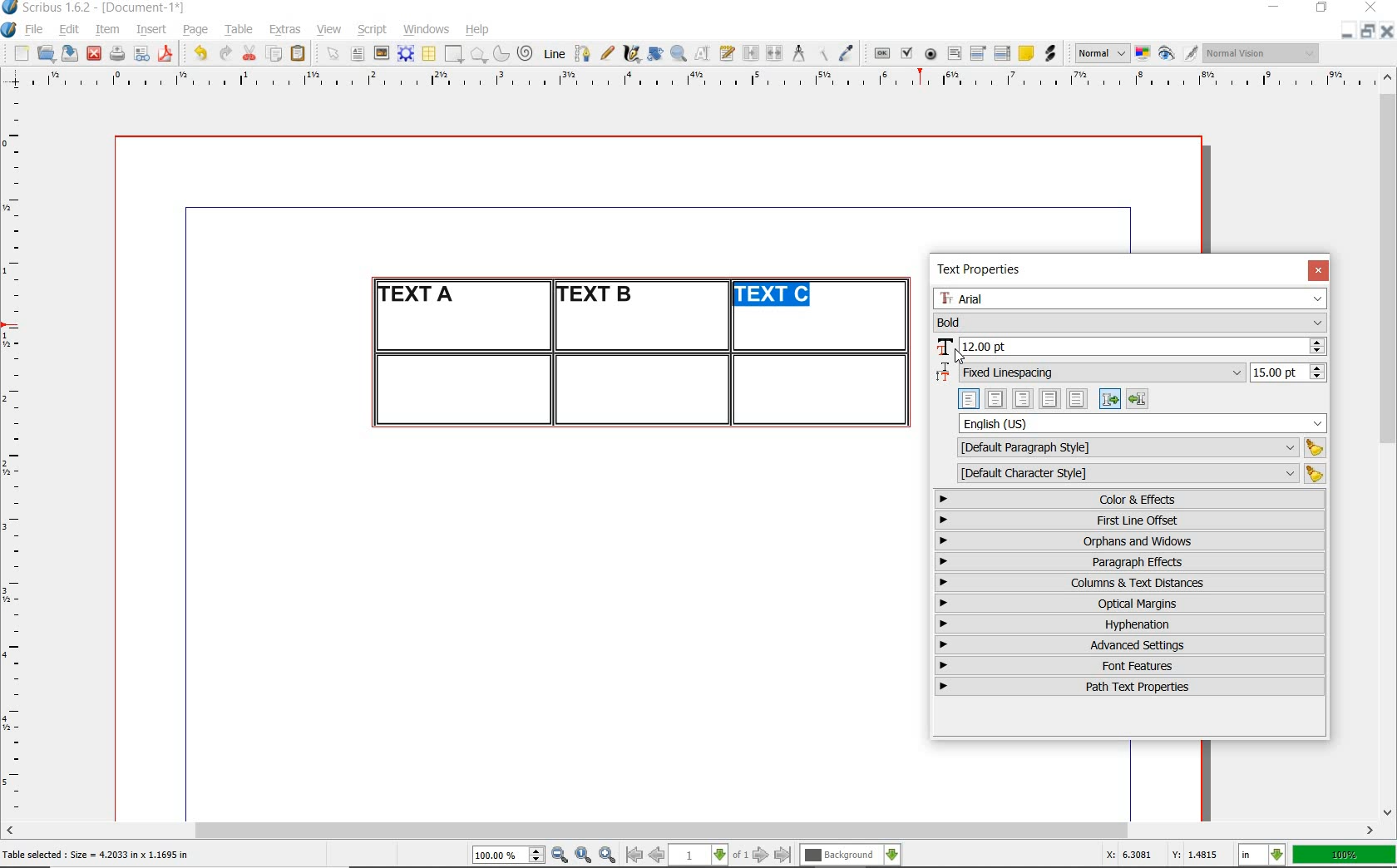 The height and width of the screenshot is (868, 1397). Describe the element at coordinates (456, 55) in the screenshot. I see `shape` at that location.